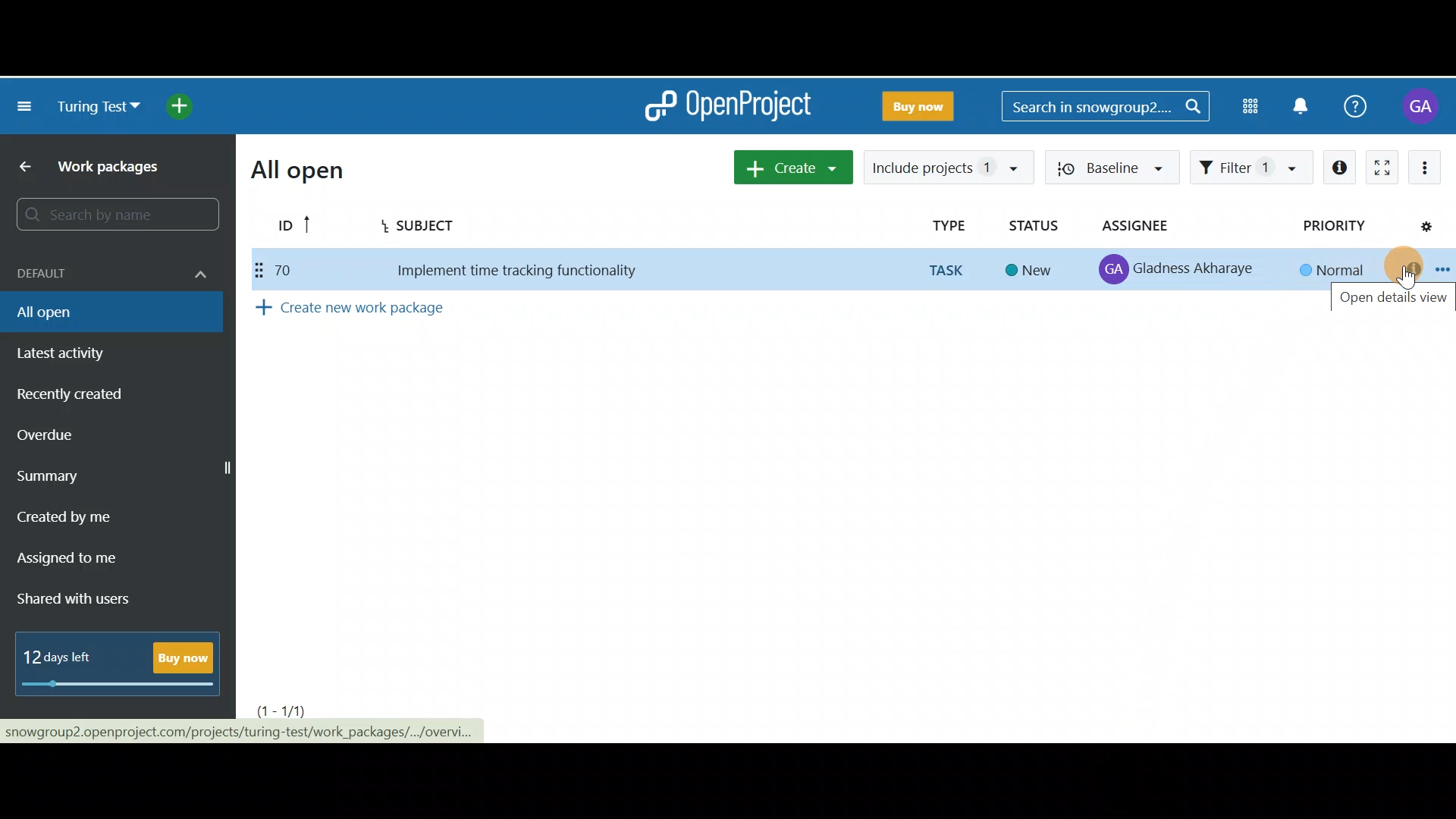 Image resolution: width=1456 pixels, height=819 pixels. What do you see at coordinates (1346, 165) in the screenshot?
I see `Open details view` at bounding box center [1346, 165].